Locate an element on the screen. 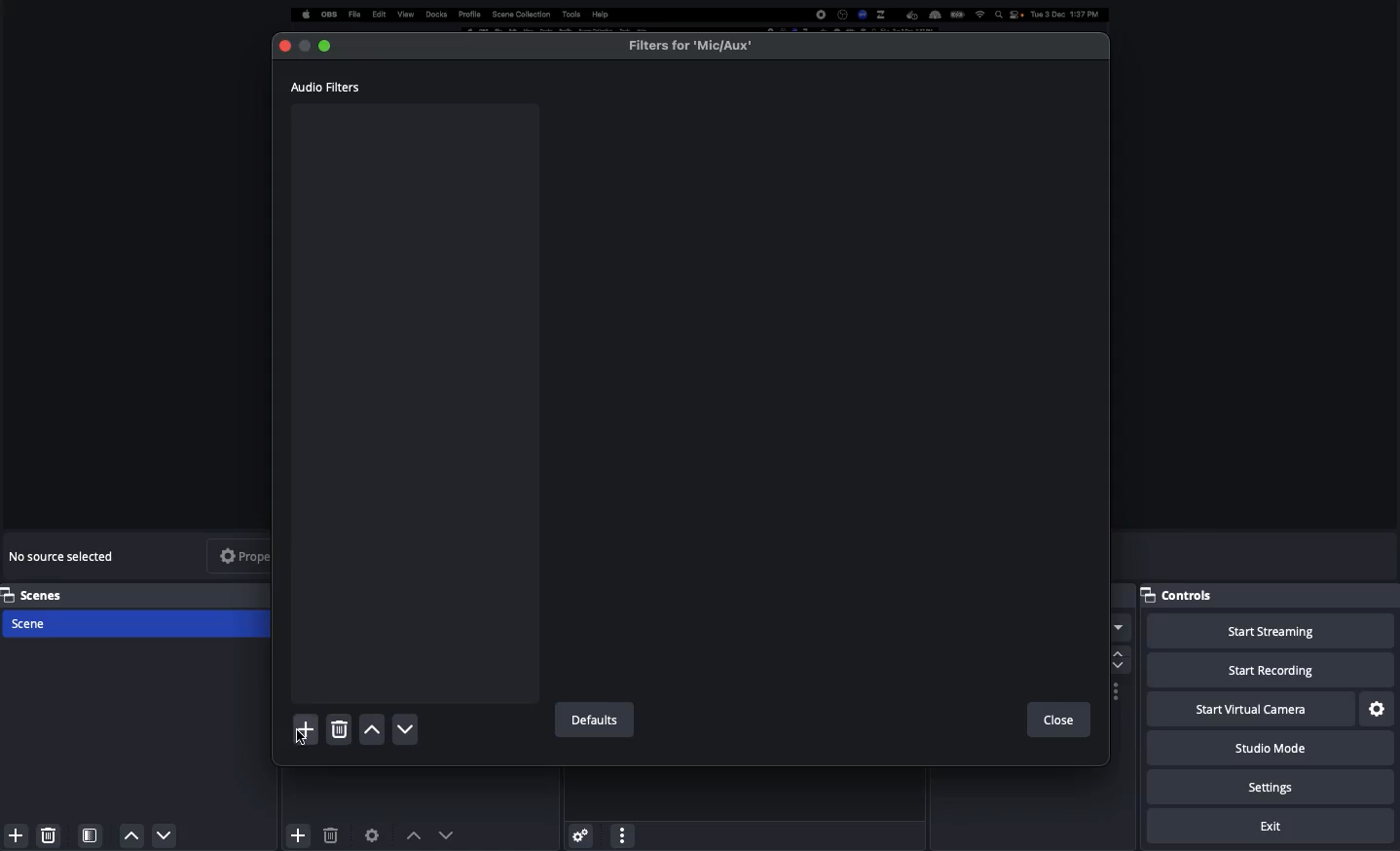 The width and height of the screenshot is (1400, 851). minimize is located at coordinates (305, 47).